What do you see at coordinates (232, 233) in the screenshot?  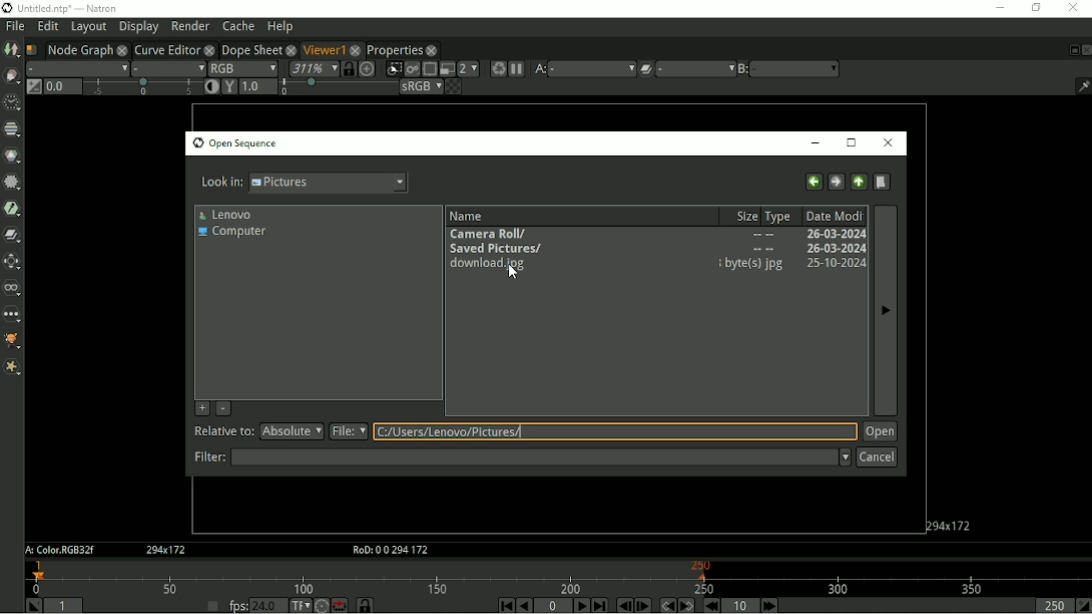 I see `Computer` at bounding box center [232, 233].